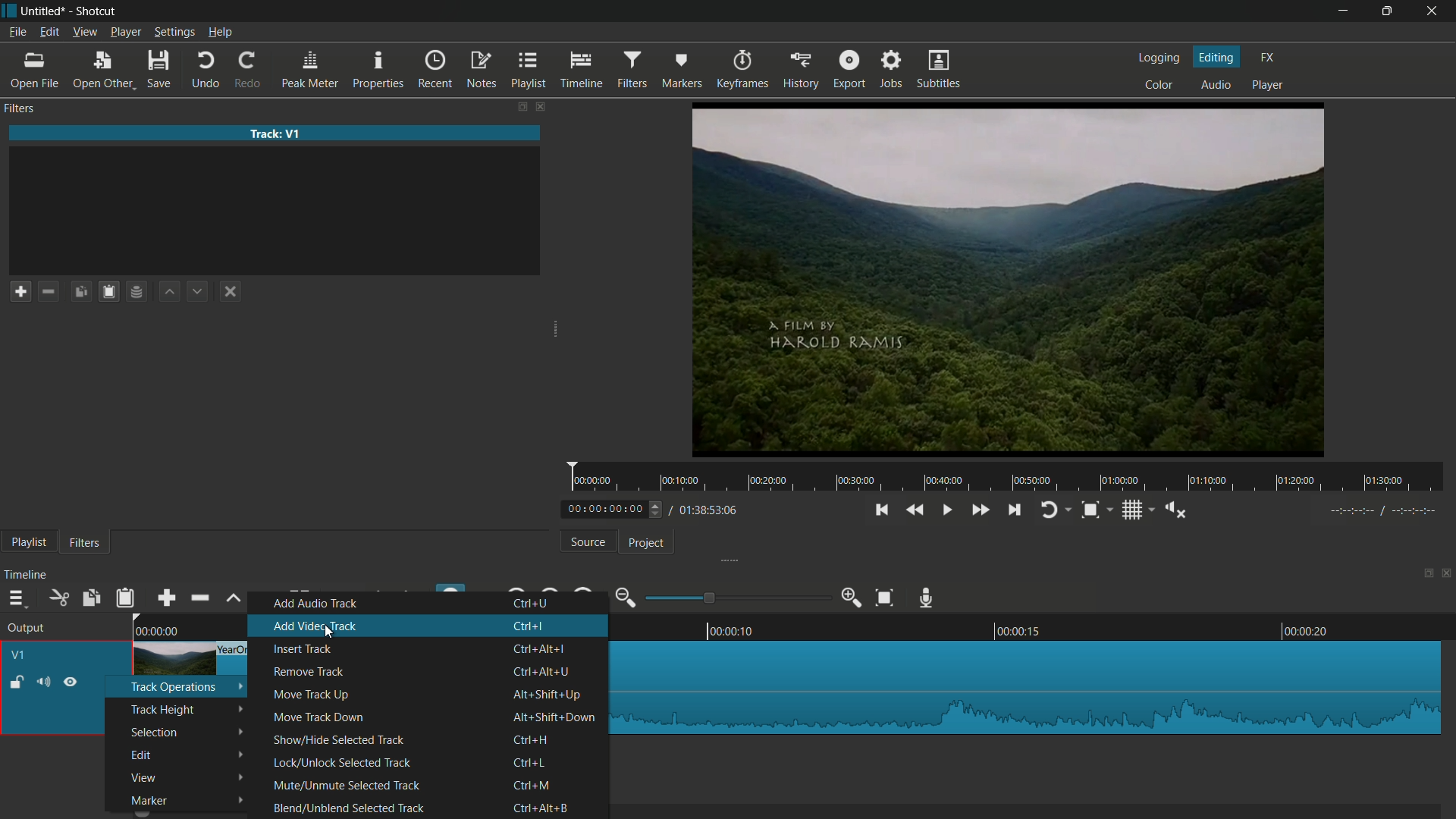  I want to click on maximize, so click(1387, 11).